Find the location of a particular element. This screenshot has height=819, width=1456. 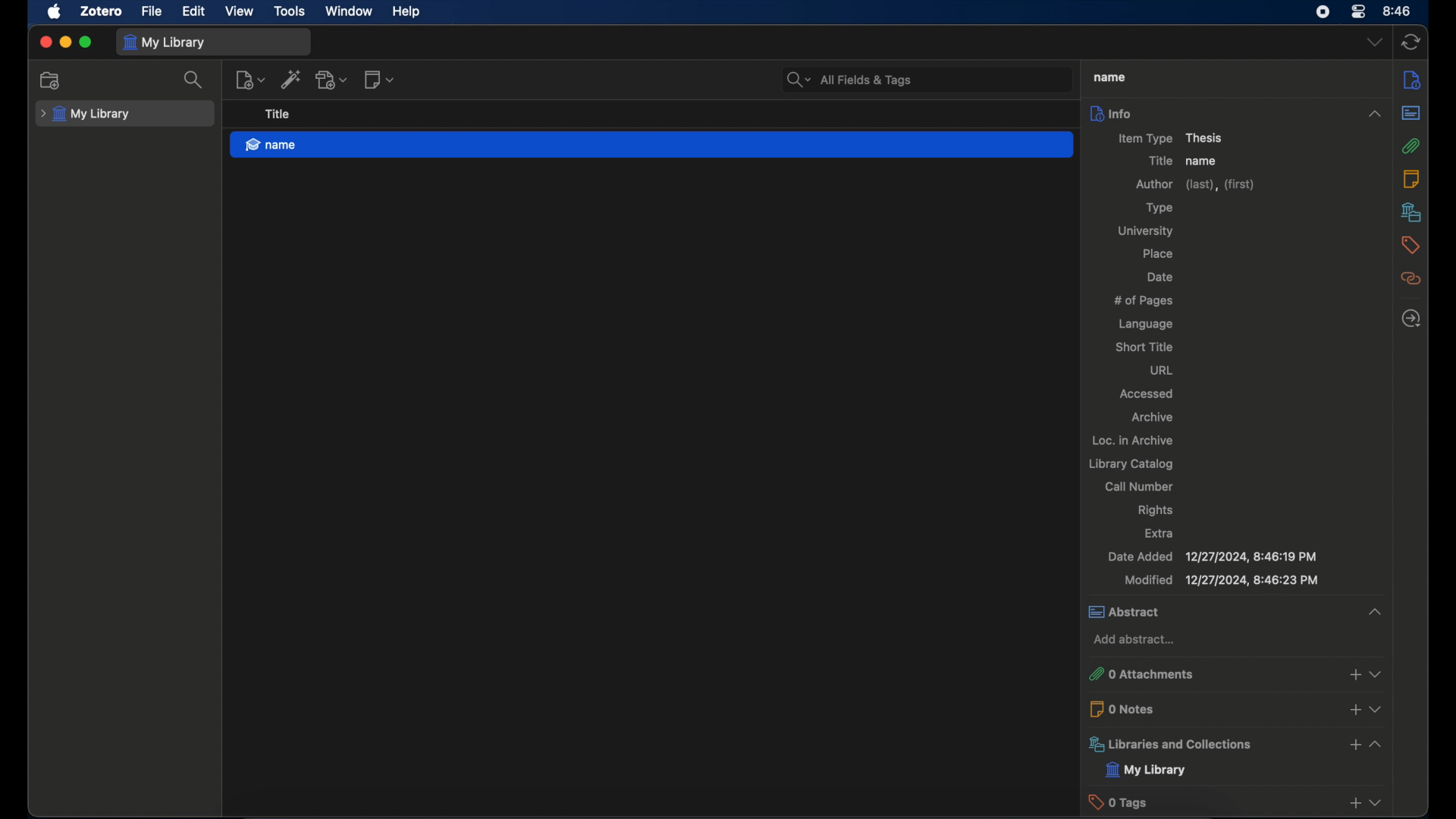

sync is located at coordinates (1411, 43).